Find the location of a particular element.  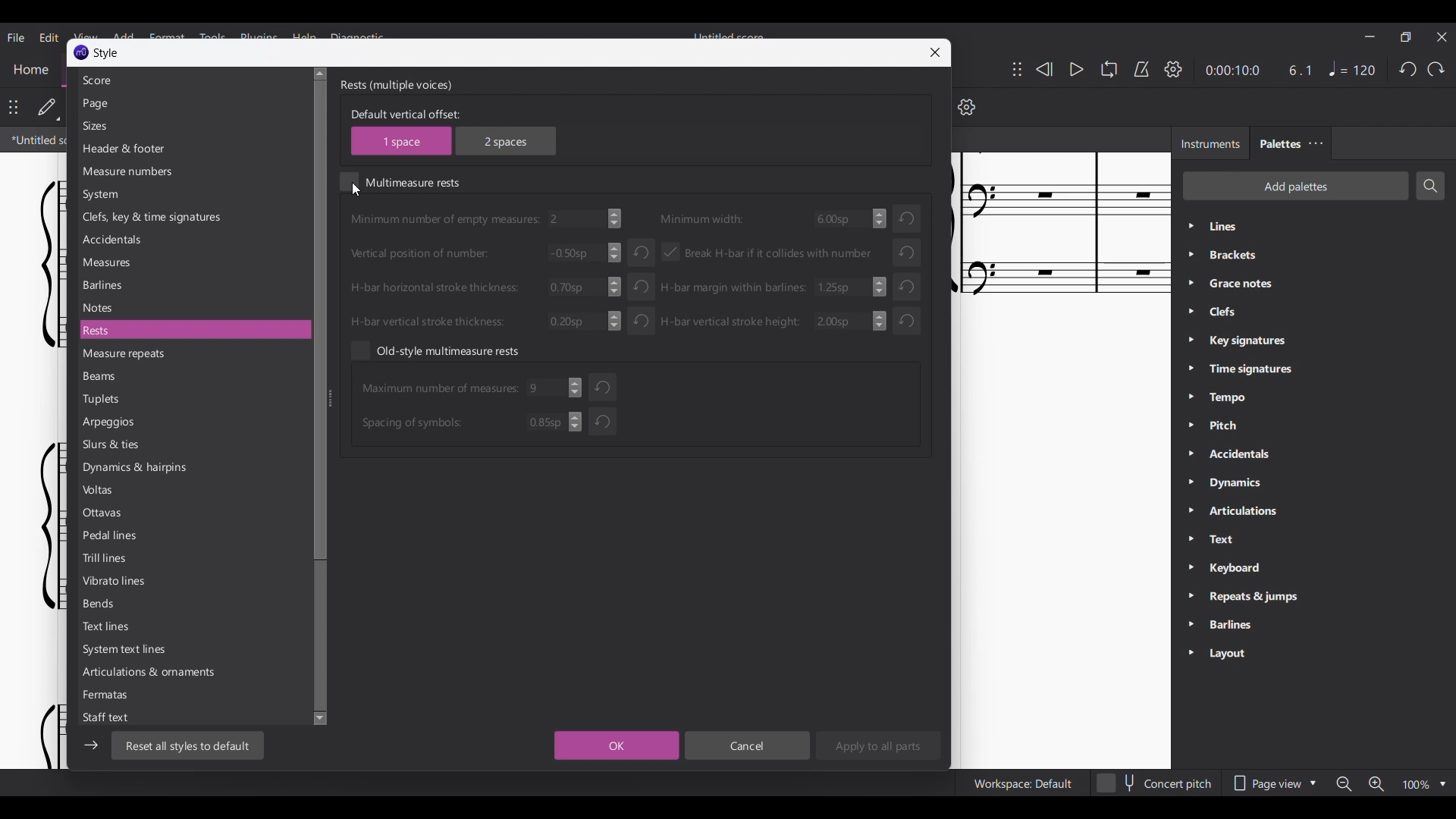

Beams is located at coordinates (193, 377).